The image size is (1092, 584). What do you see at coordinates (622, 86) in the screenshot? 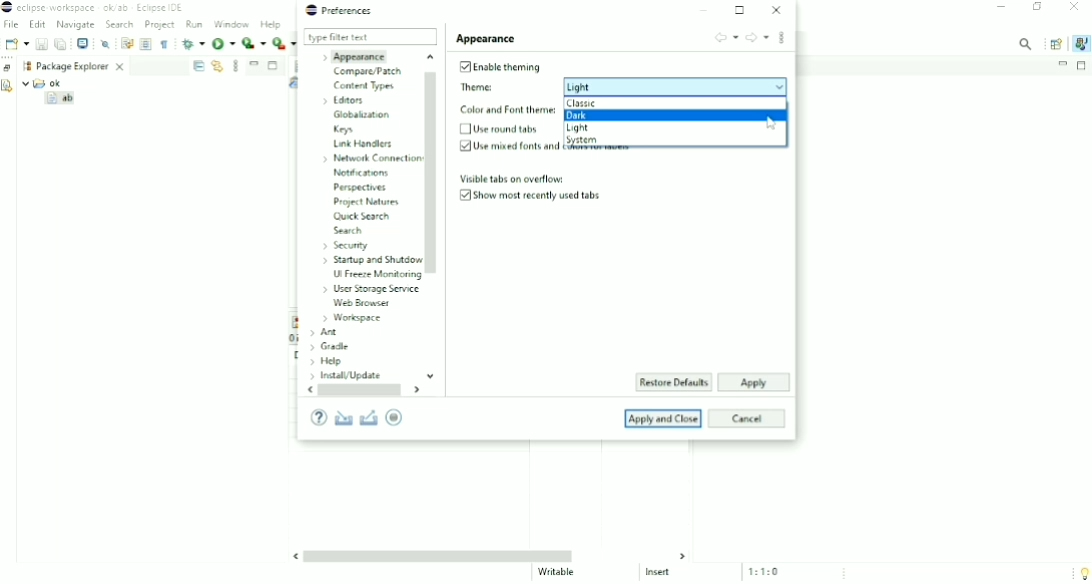
I see `Theme` at bounding box center [622, 86].